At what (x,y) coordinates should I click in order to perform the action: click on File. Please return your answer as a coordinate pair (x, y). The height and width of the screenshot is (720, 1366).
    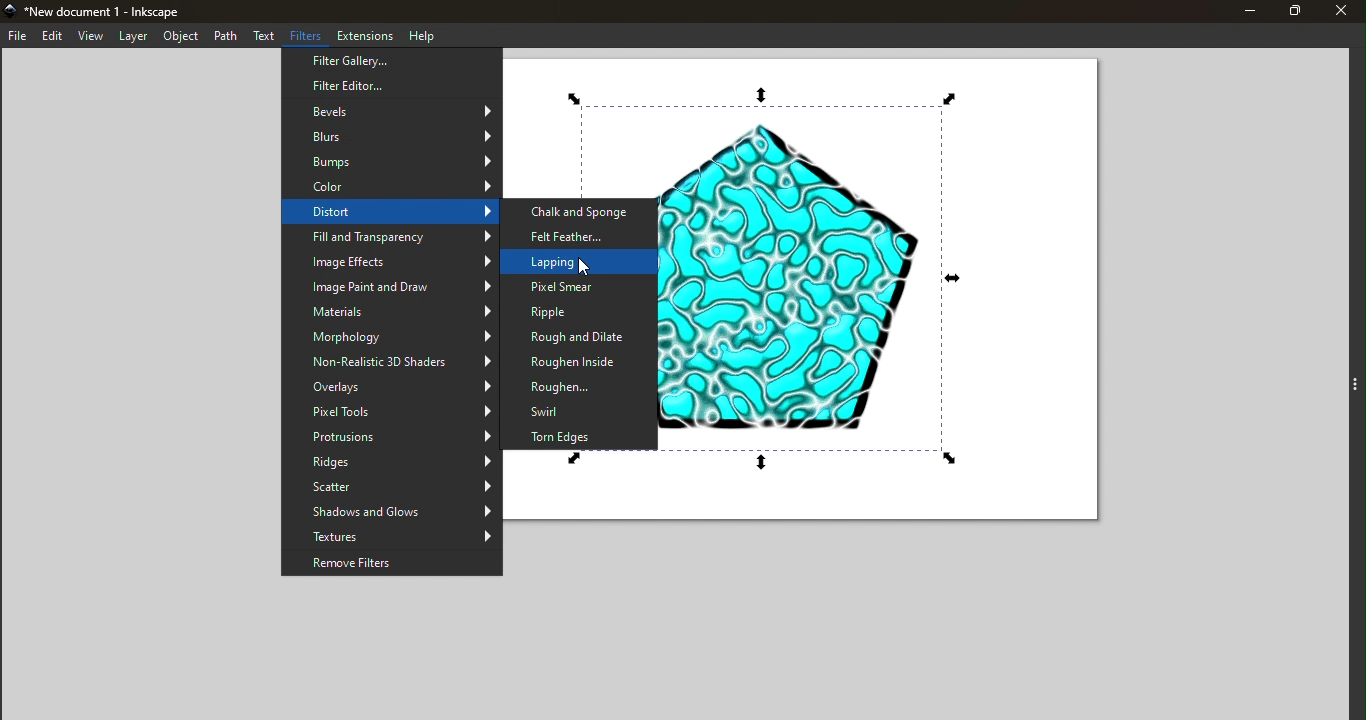
    Looking at the image, I should click on (16, 35).